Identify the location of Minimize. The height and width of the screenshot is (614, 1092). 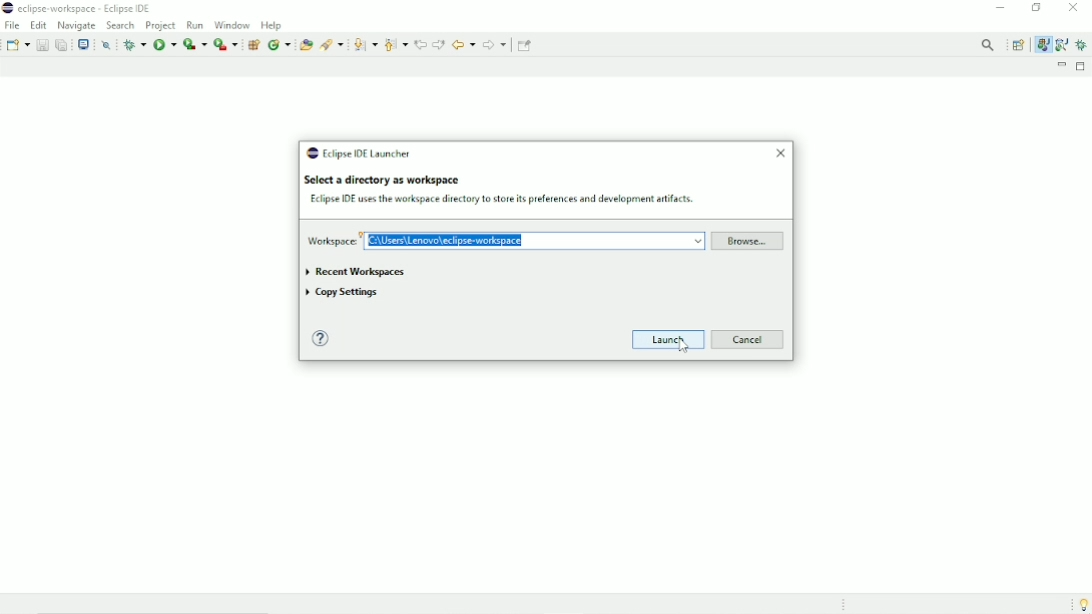
(1062, 66).